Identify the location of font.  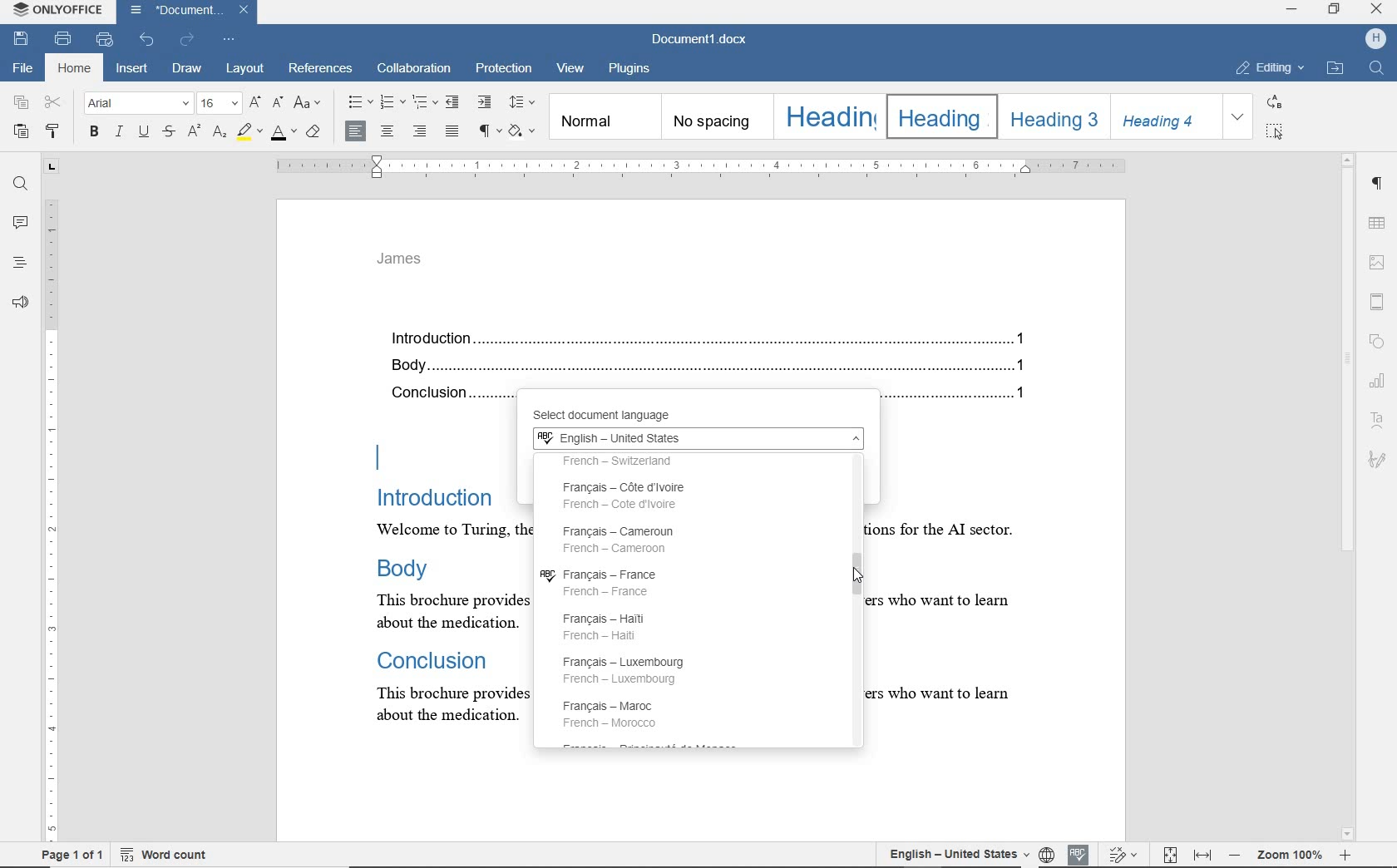
(139, 104).